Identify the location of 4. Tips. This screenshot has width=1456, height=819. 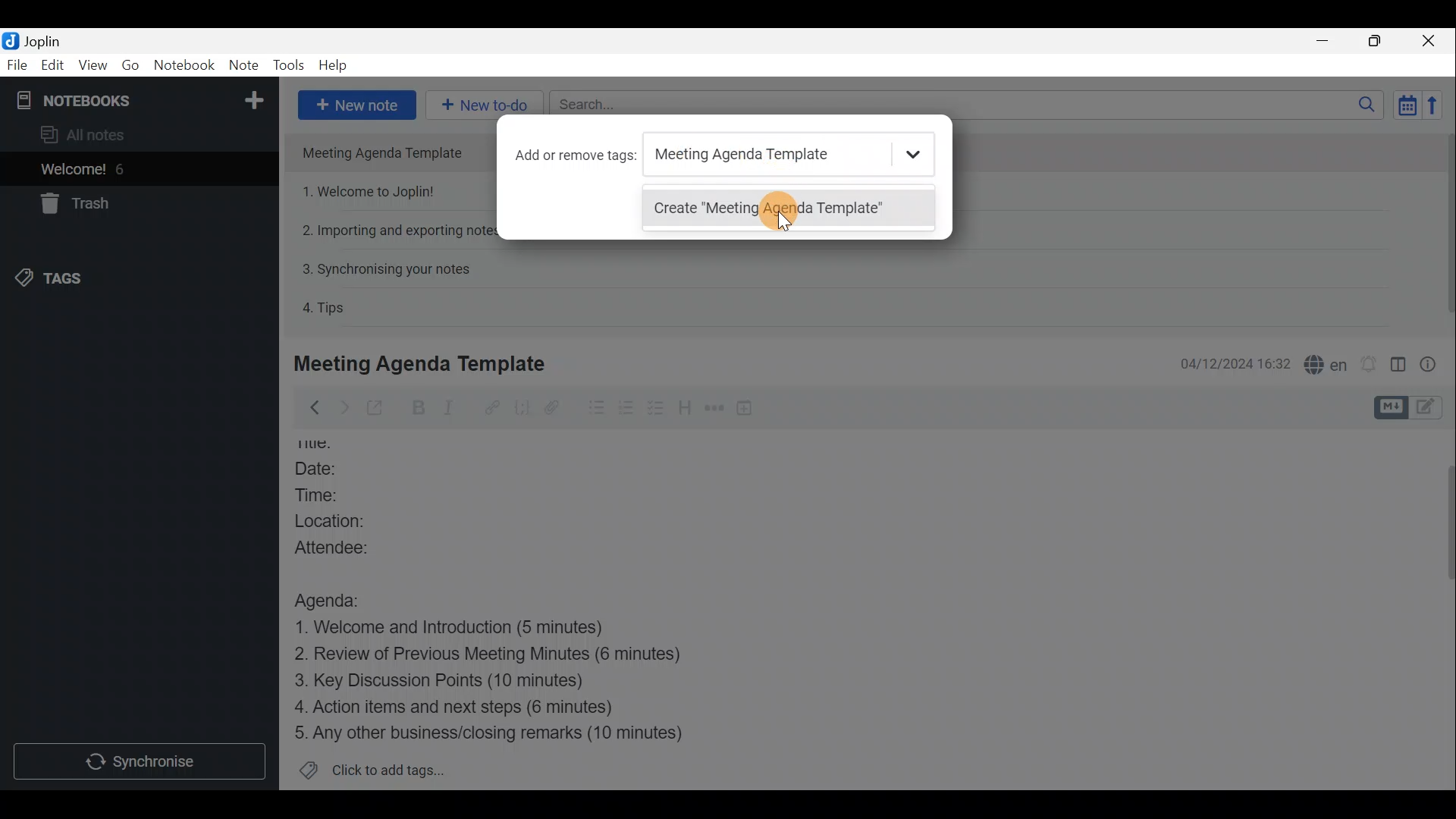
(325, 307).